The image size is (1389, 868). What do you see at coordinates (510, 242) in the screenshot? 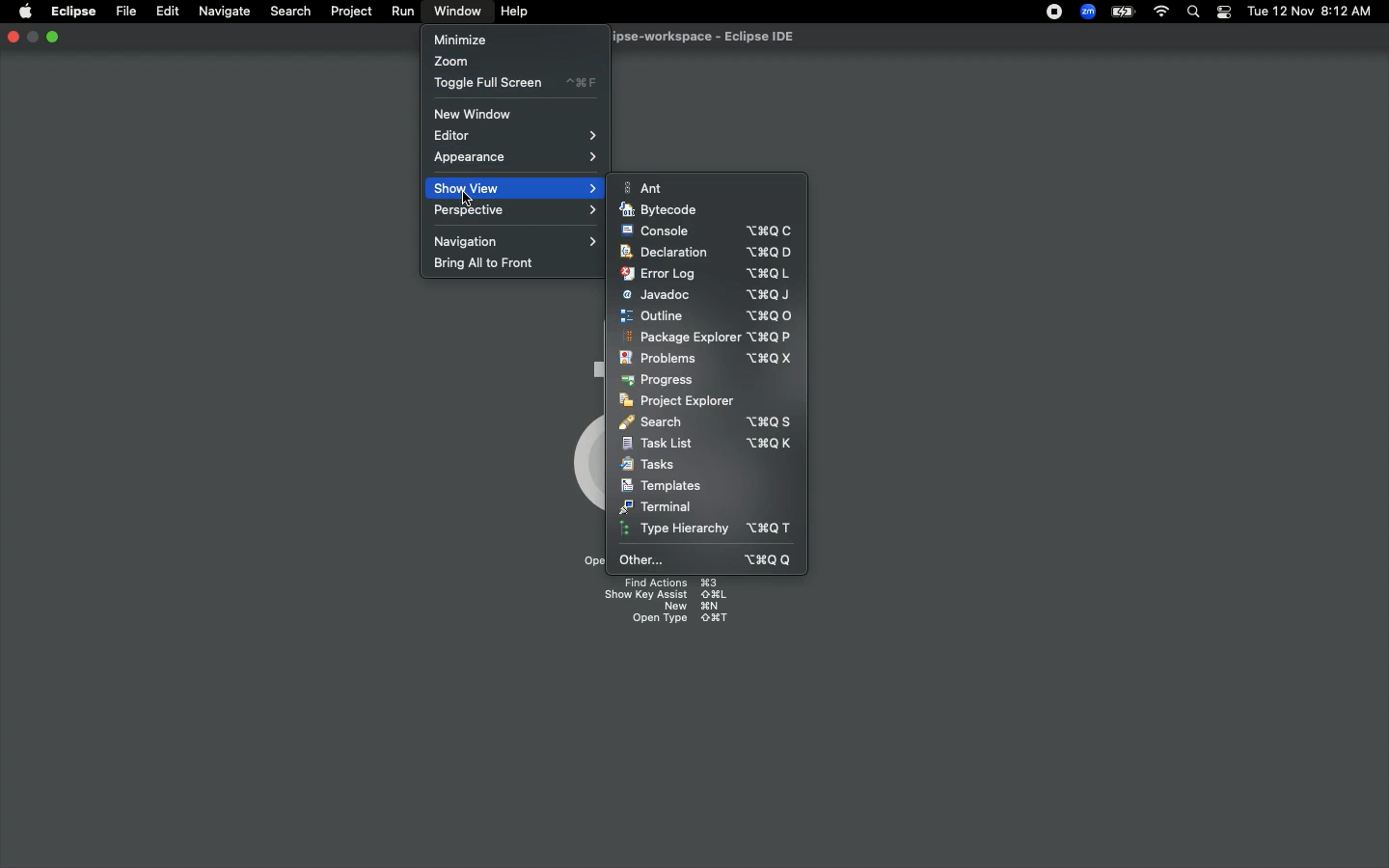
I see `Navigation` at bounding box center [510, 242].